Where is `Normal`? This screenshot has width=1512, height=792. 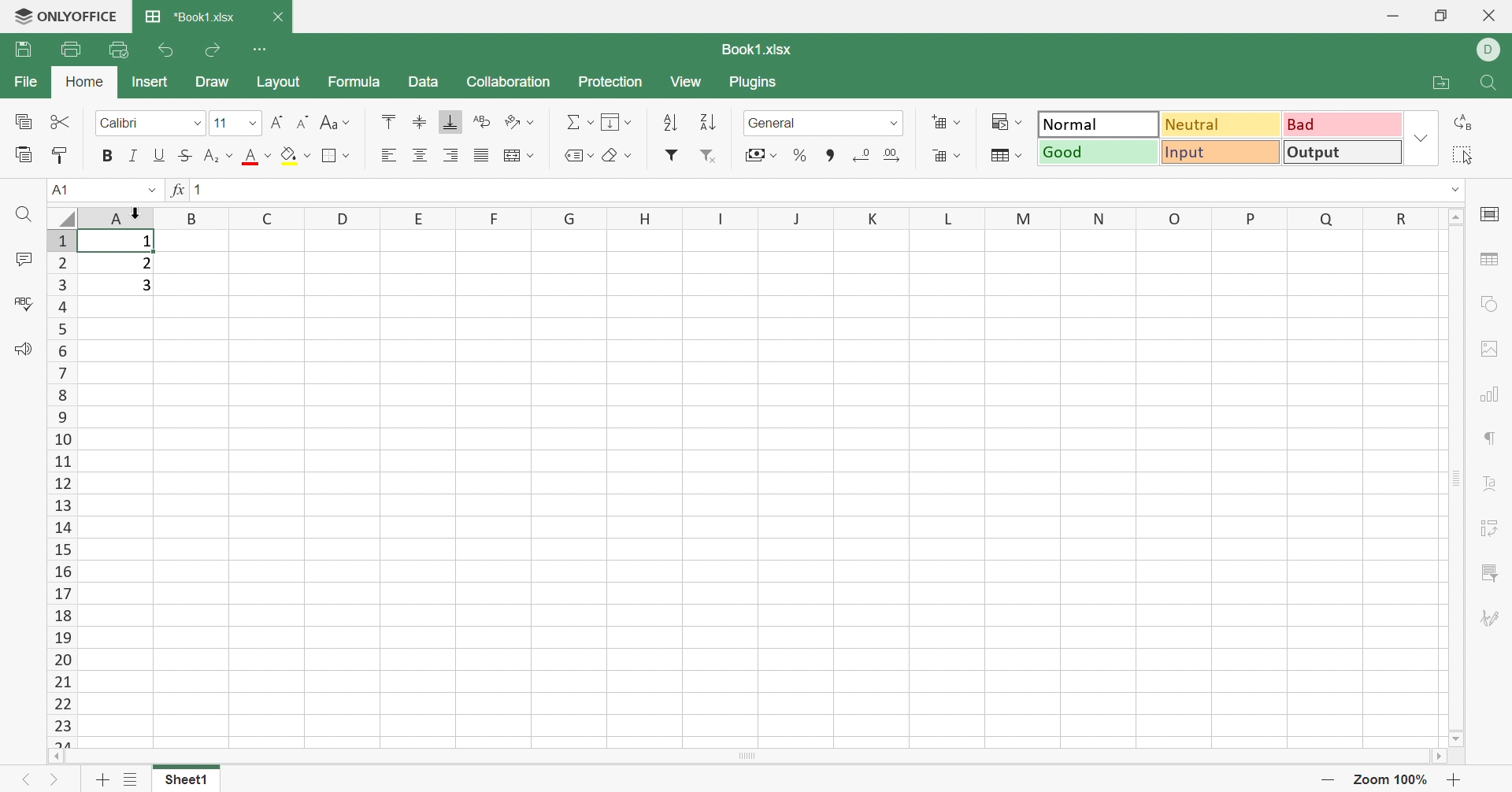
Normal is located at coordinates (1099, 124).